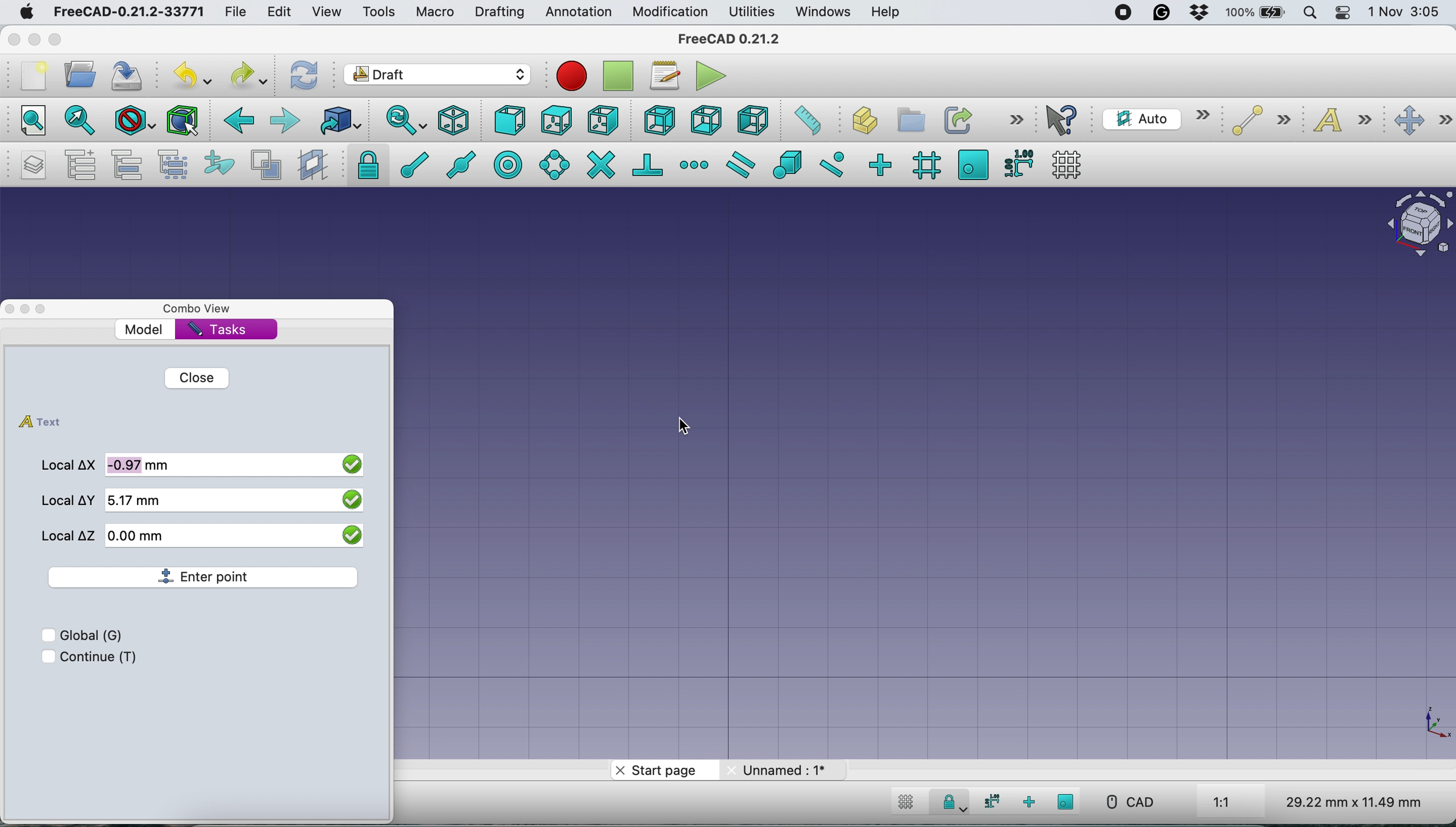 Image resolution: width=1456 pixels, height=827 pixels. I want to click on utilities, so click(751, 13).